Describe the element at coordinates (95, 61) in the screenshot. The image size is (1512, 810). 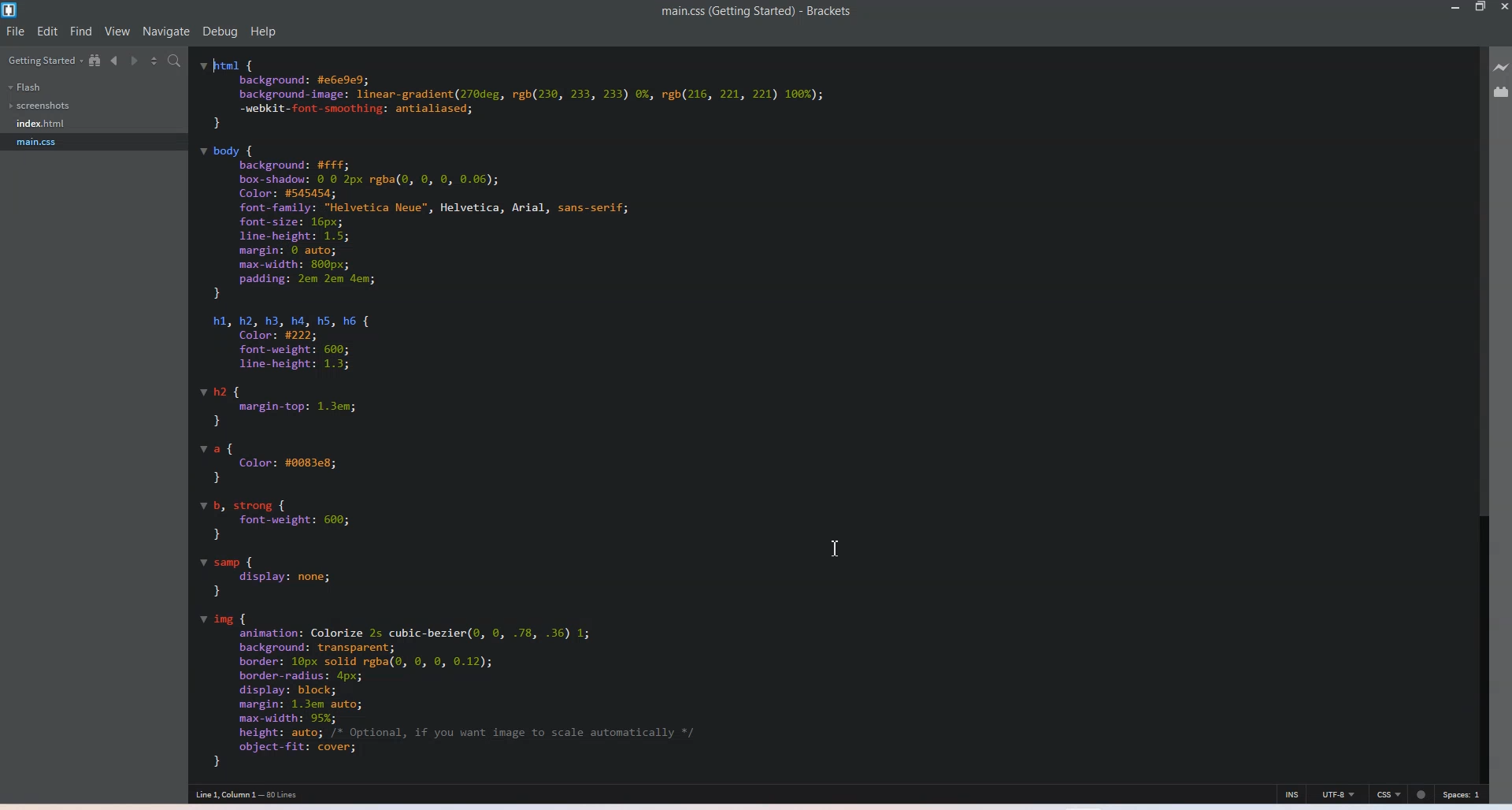
I see `Show in file tree` at that location.